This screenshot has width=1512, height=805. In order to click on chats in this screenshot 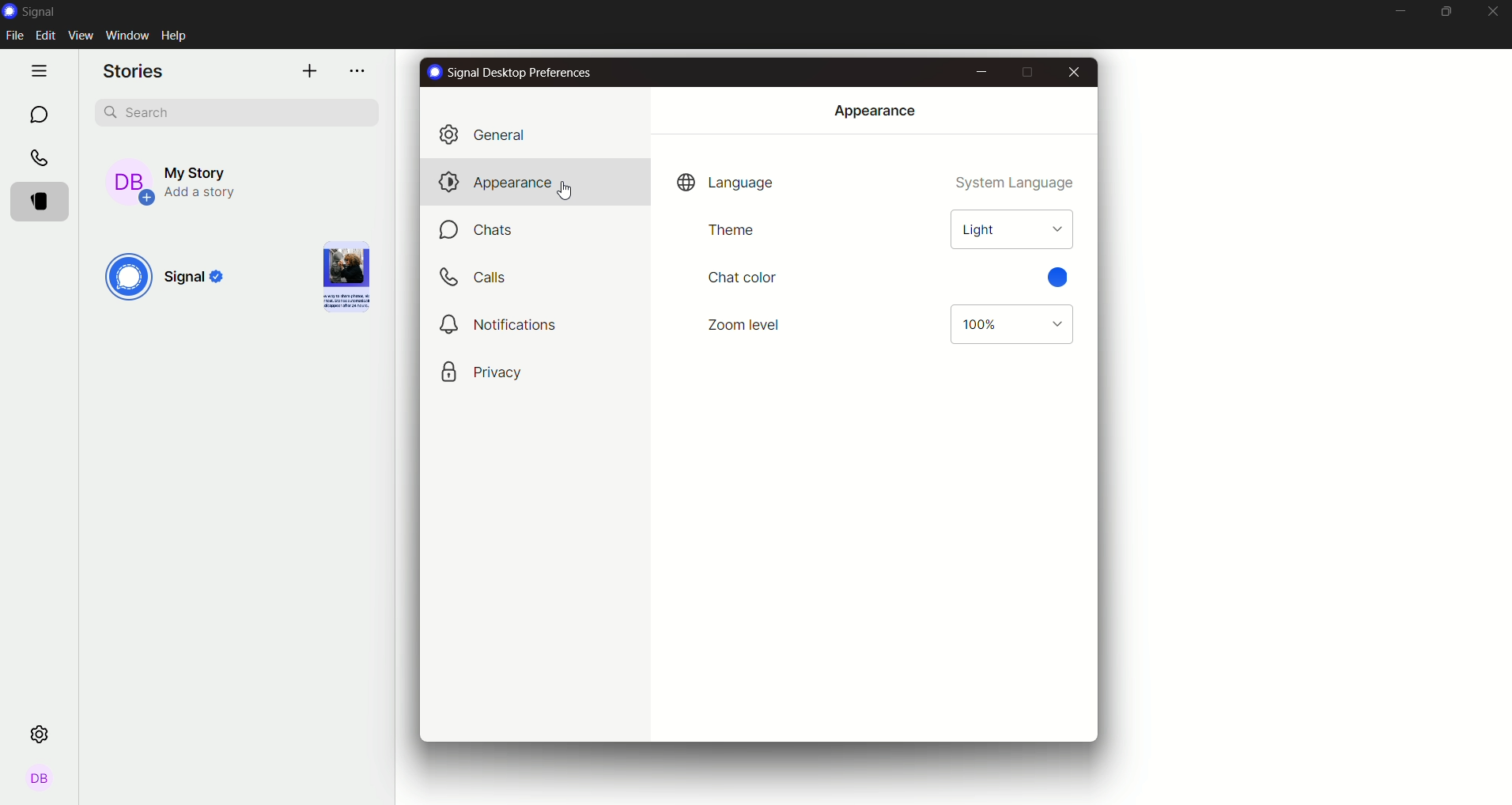, I will do `click(482, 231)`.